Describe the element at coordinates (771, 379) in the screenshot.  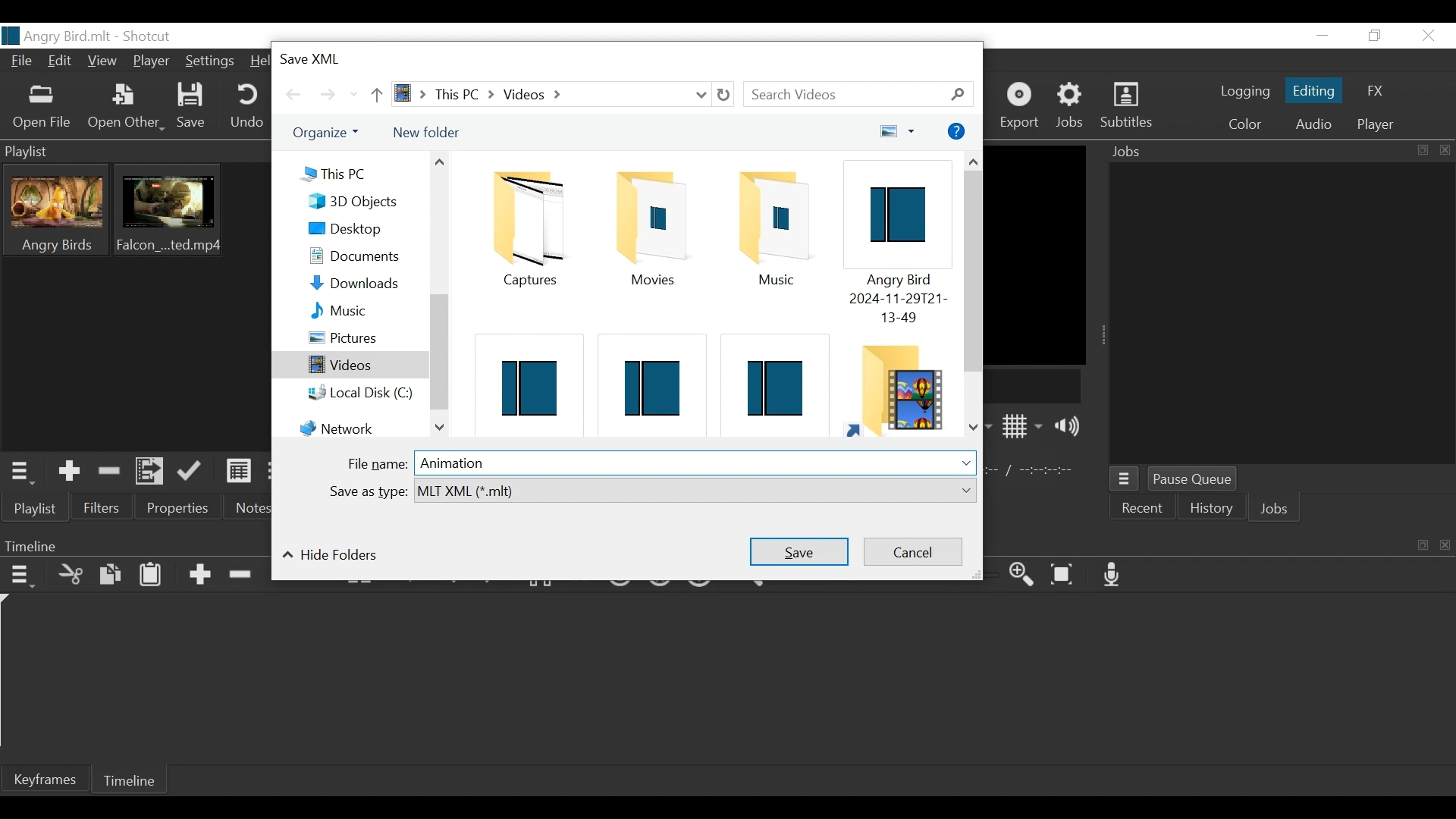
I see `Shotcut File` at that location.